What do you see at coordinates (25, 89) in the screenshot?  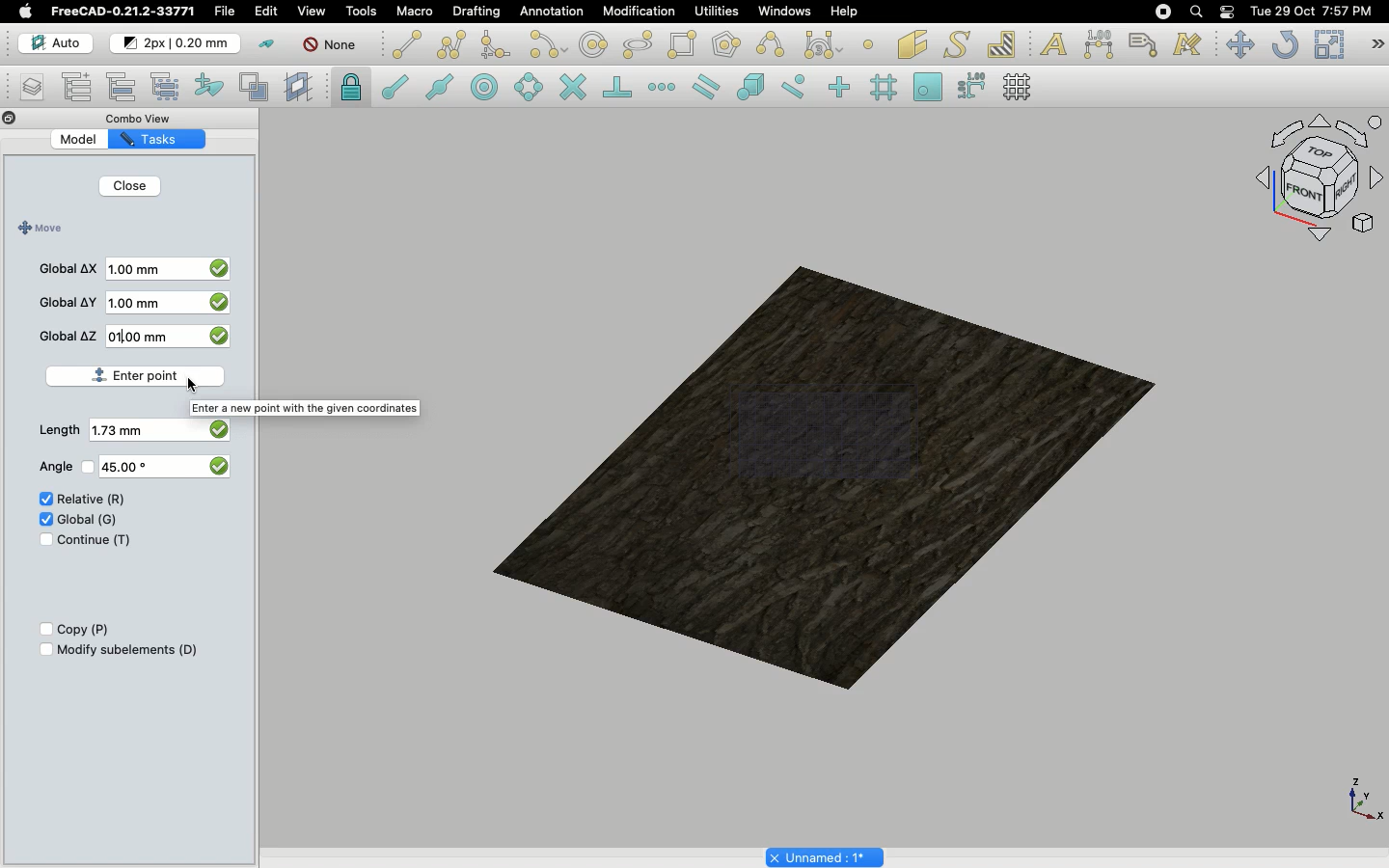 I see `Manage layers` at bounding box center [25, 89].